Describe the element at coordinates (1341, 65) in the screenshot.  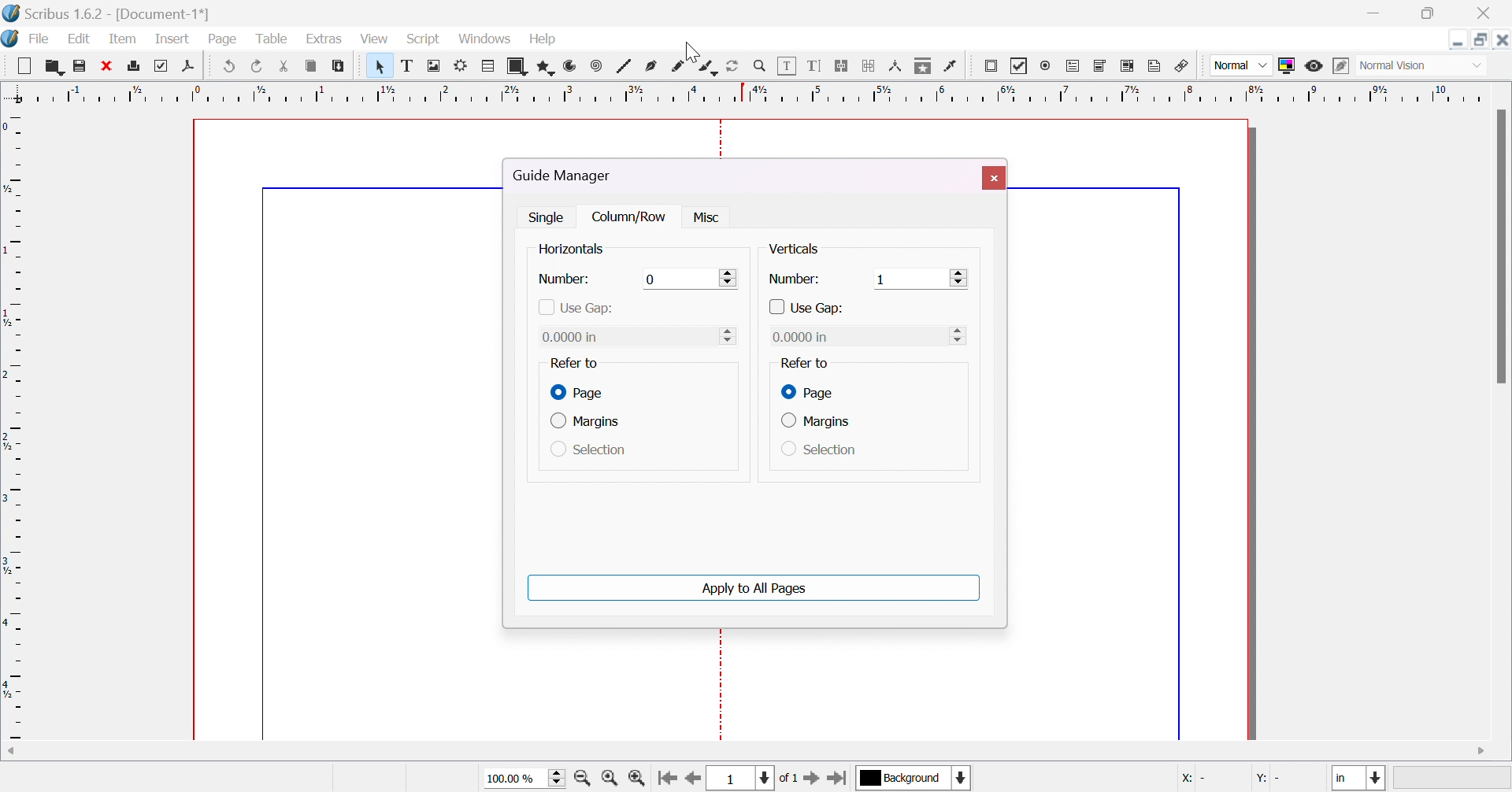
I see `edit in preview mode` at that location.